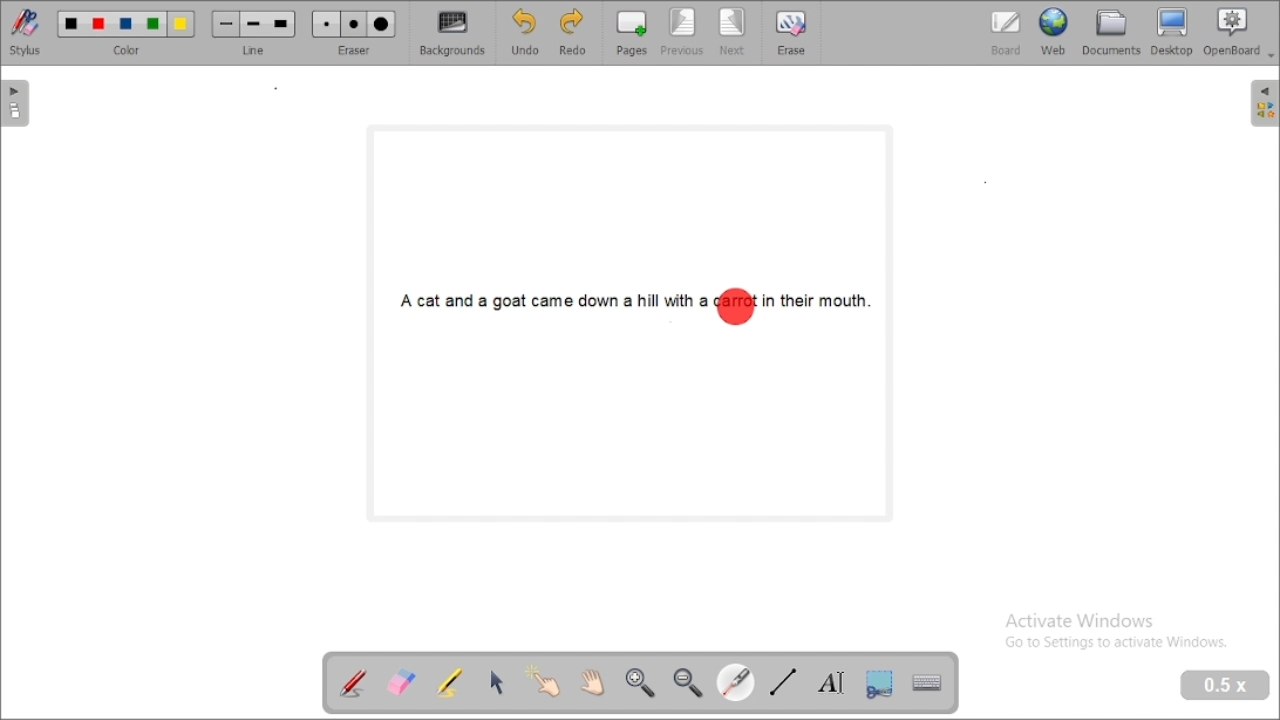 This screenshot has height=720, width=1280. Describe the element at coordinates (1054, 32) in the screenshot. I see `web` at that location.